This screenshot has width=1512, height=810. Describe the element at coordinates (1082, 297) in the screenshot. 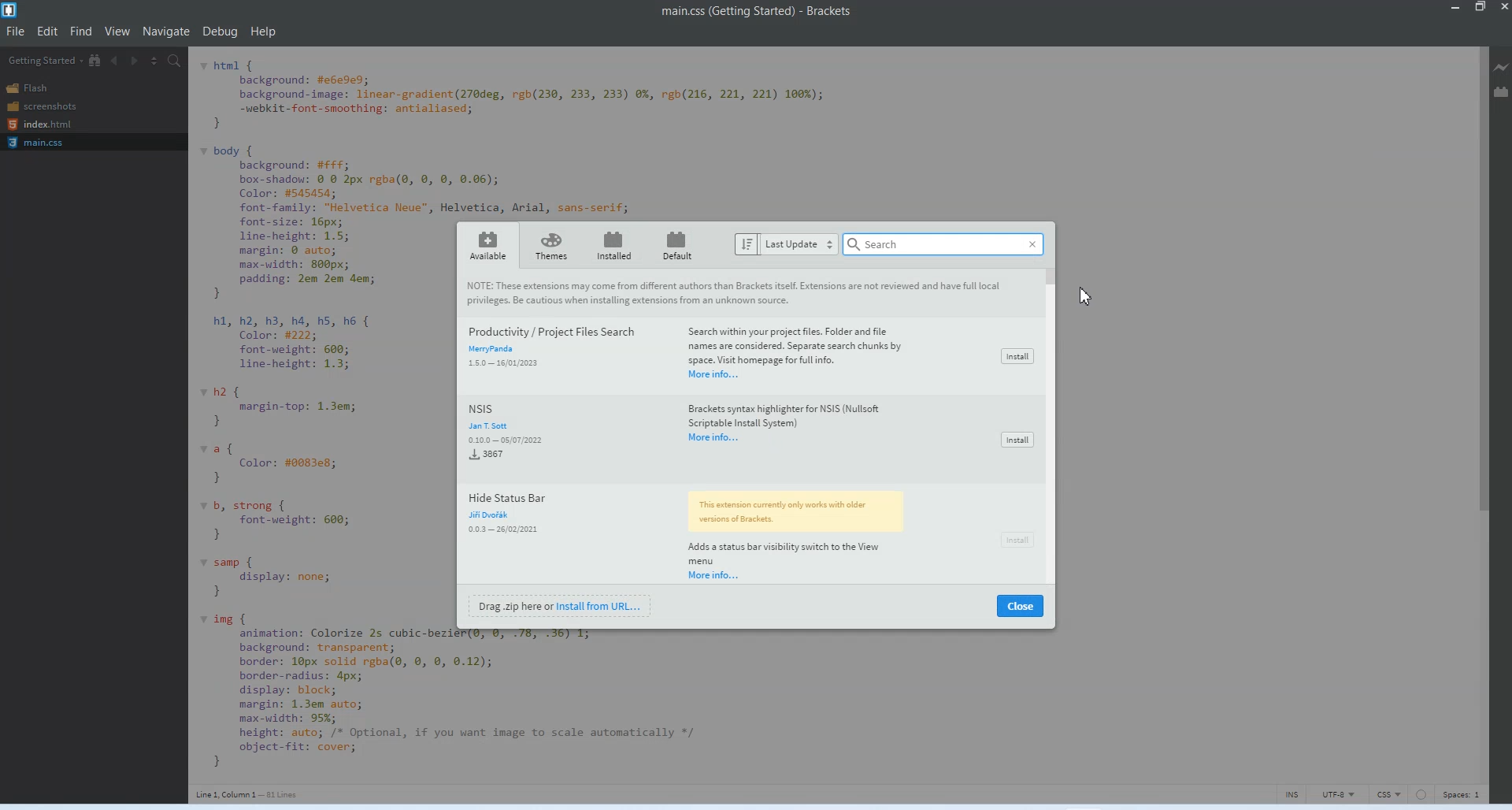

I see `Cursor` at that location.